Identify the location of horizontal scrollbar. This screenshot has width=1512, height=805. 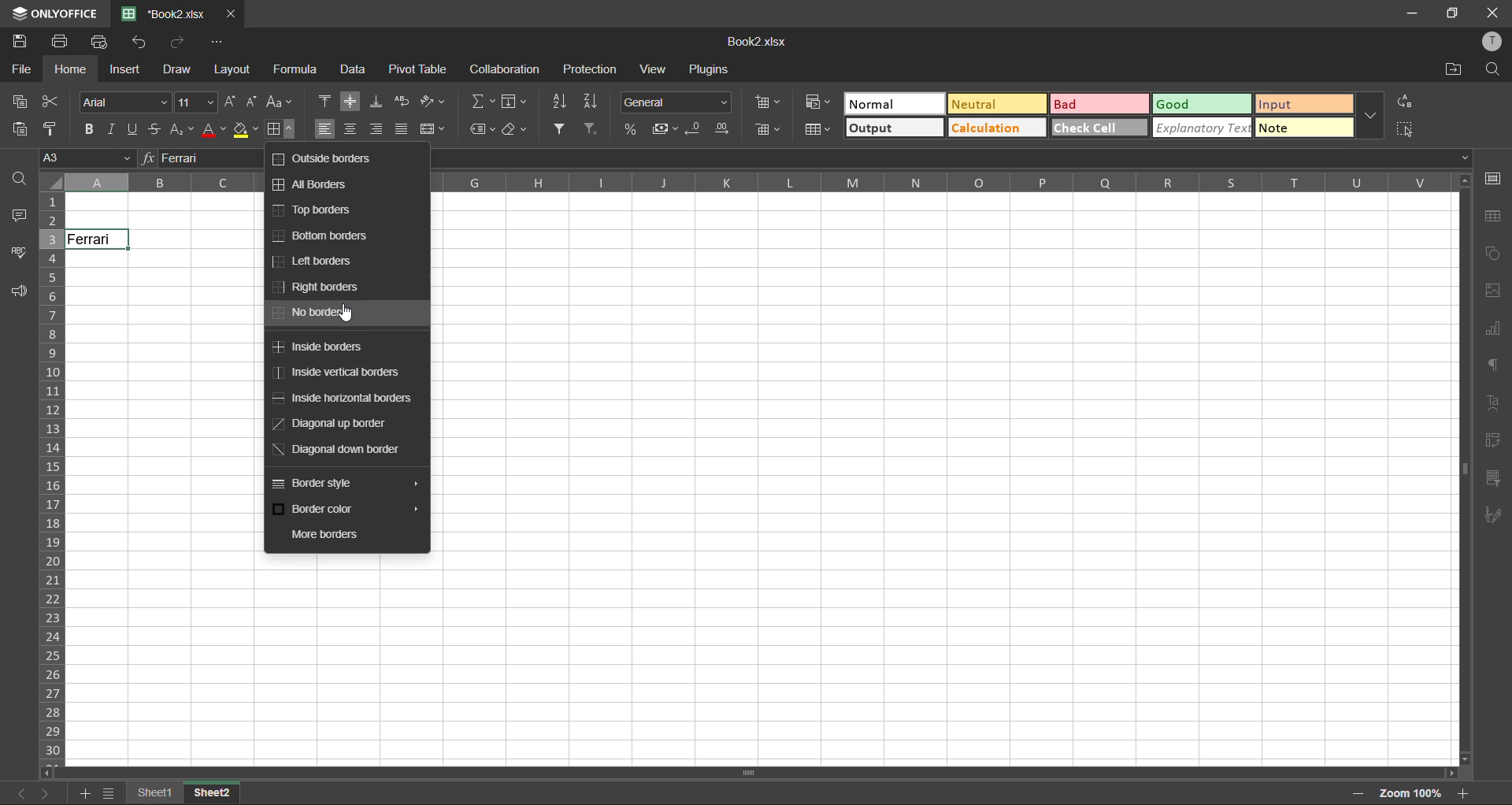
(748, 774).